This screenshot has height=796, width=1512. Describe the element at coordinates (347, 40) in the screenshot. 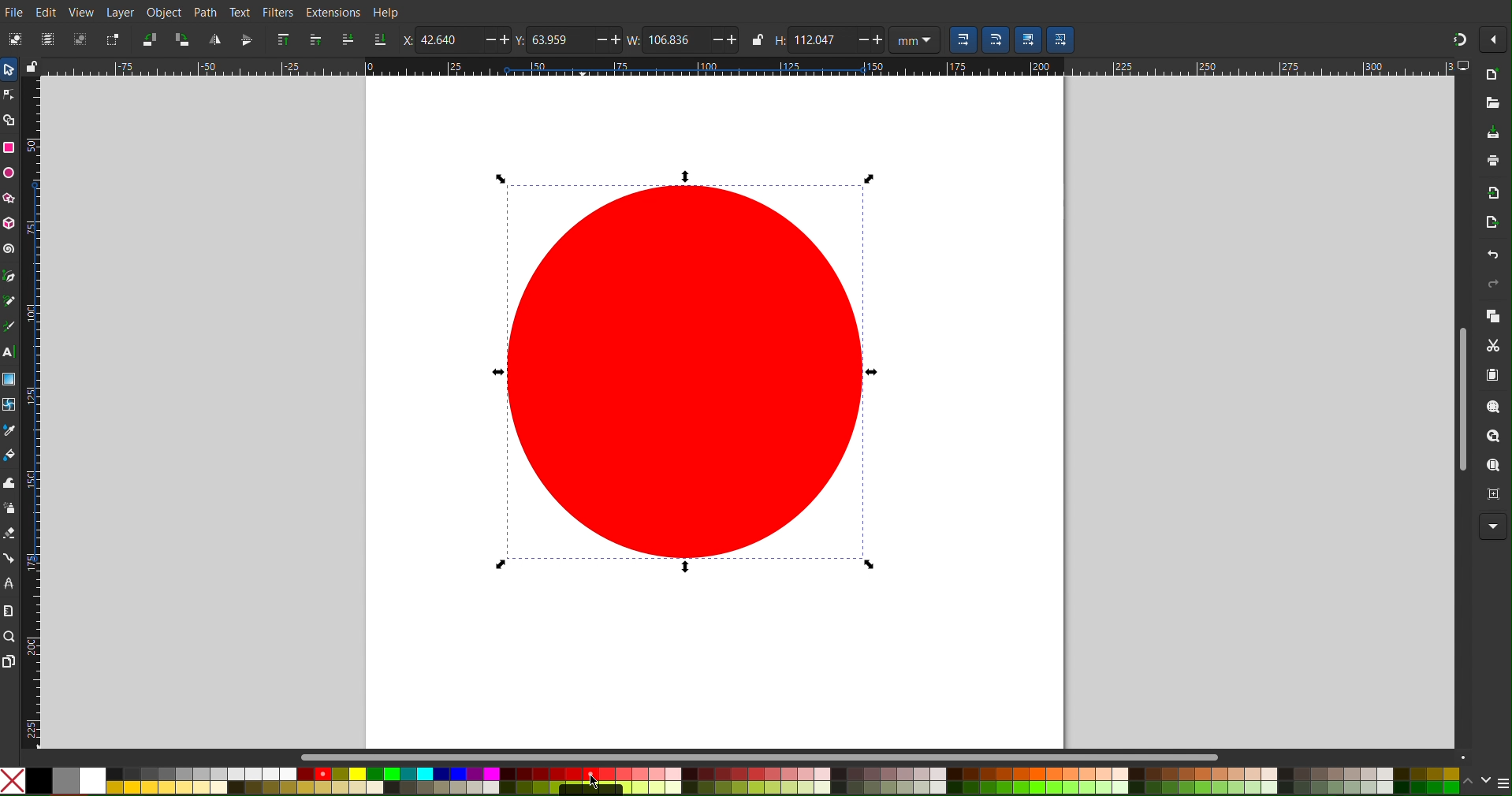

I see `Send one layer down` at that location.